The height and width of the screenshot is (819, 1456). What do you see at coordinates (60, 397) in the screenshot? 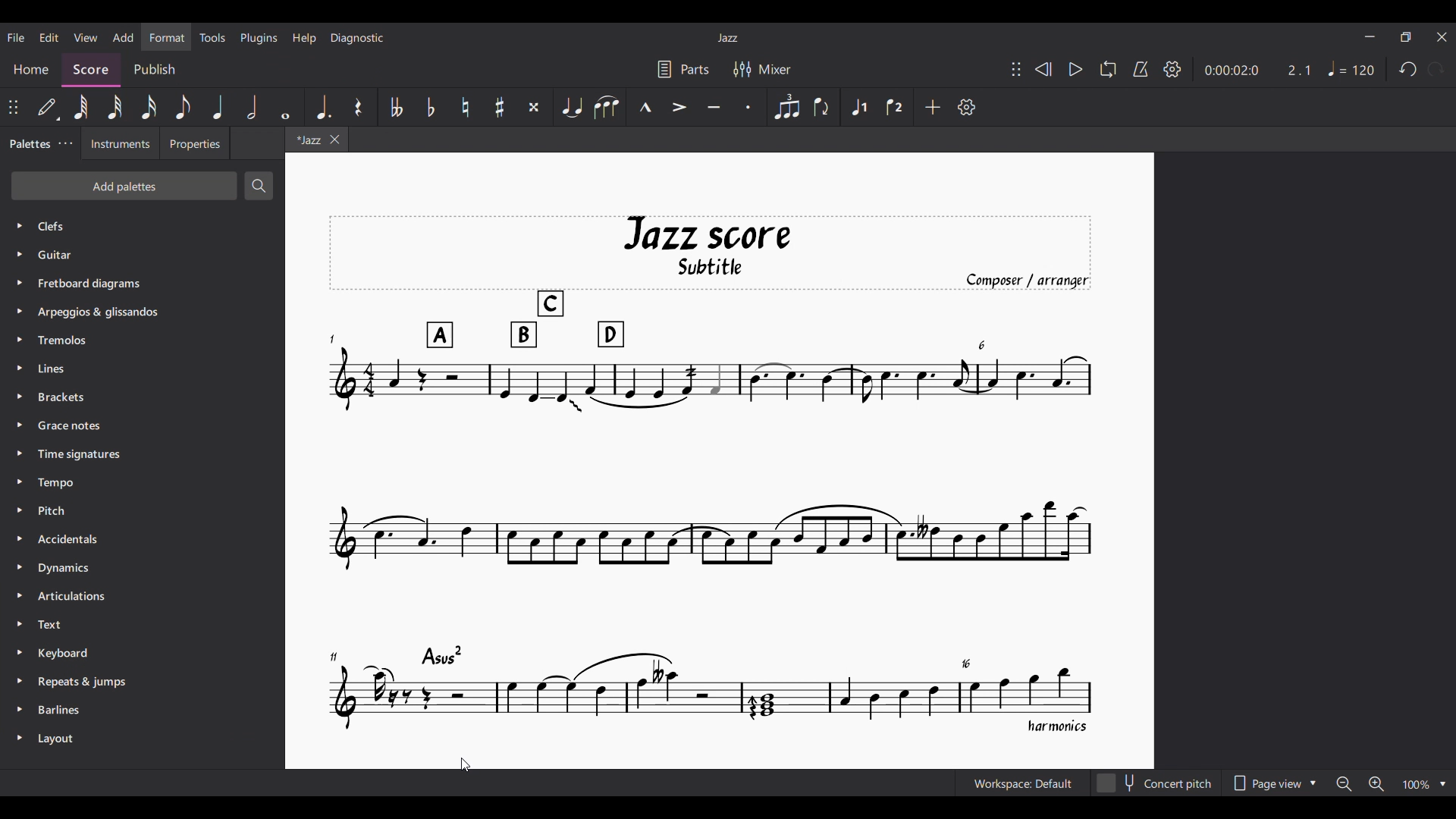
I see `Brackets` at bounding box center [60, 397].